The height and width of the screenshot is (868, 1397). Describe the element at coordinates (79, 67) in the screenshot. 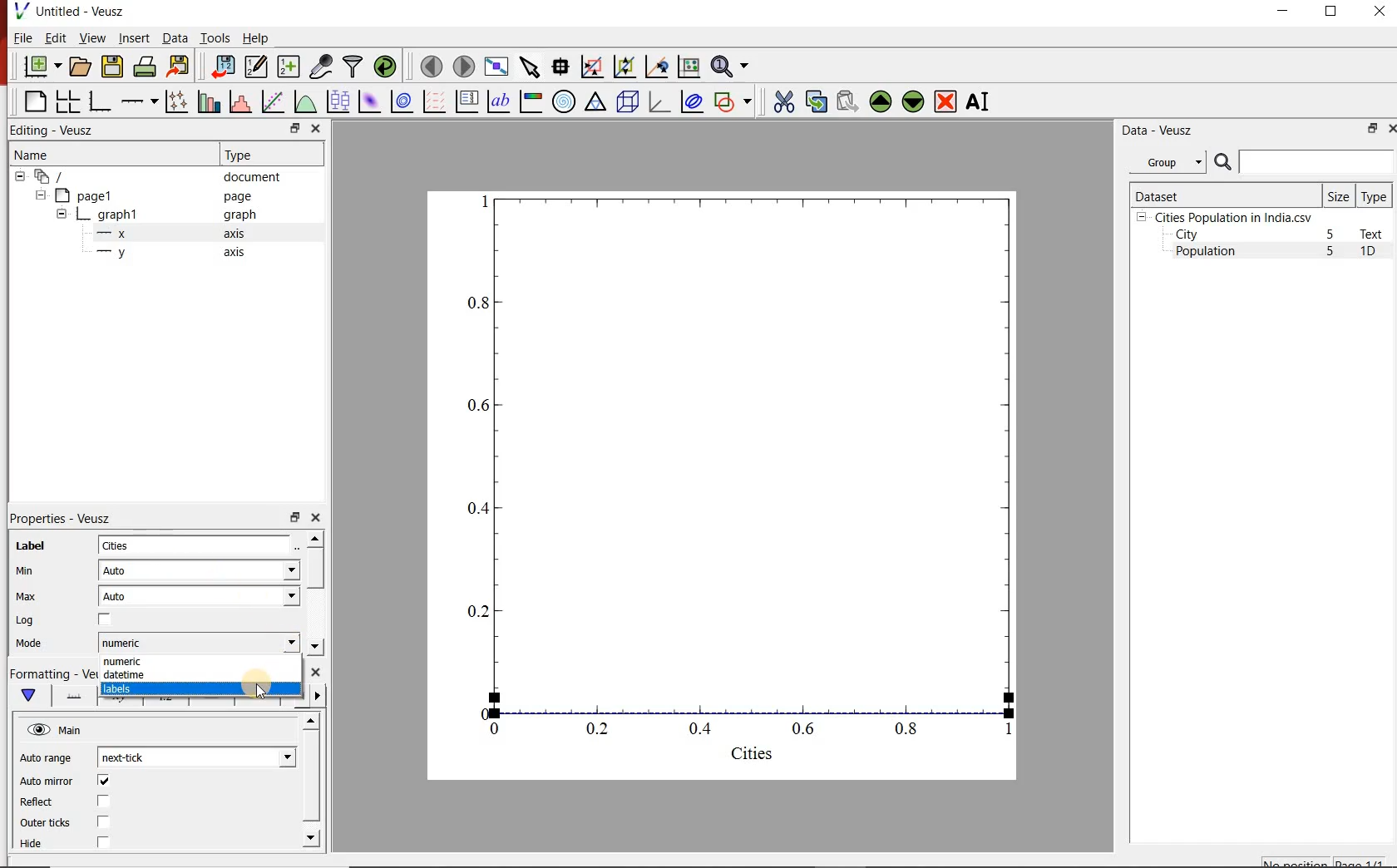

I see `open a document` at that location.